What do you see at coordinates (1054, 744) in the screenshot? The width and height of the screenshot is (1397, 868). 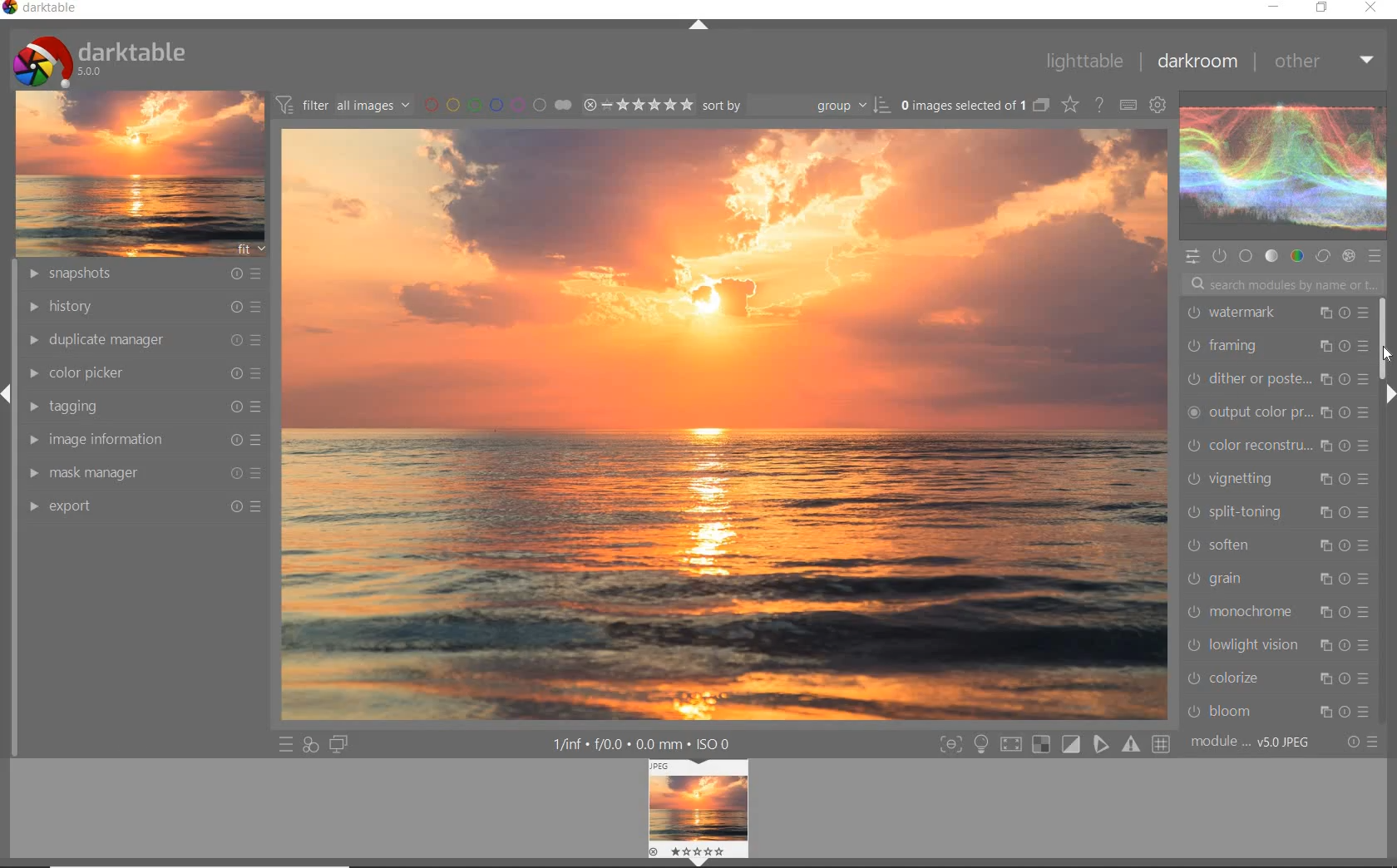 I see `TOGGLE MODE` at bounding box center [1054, 744].